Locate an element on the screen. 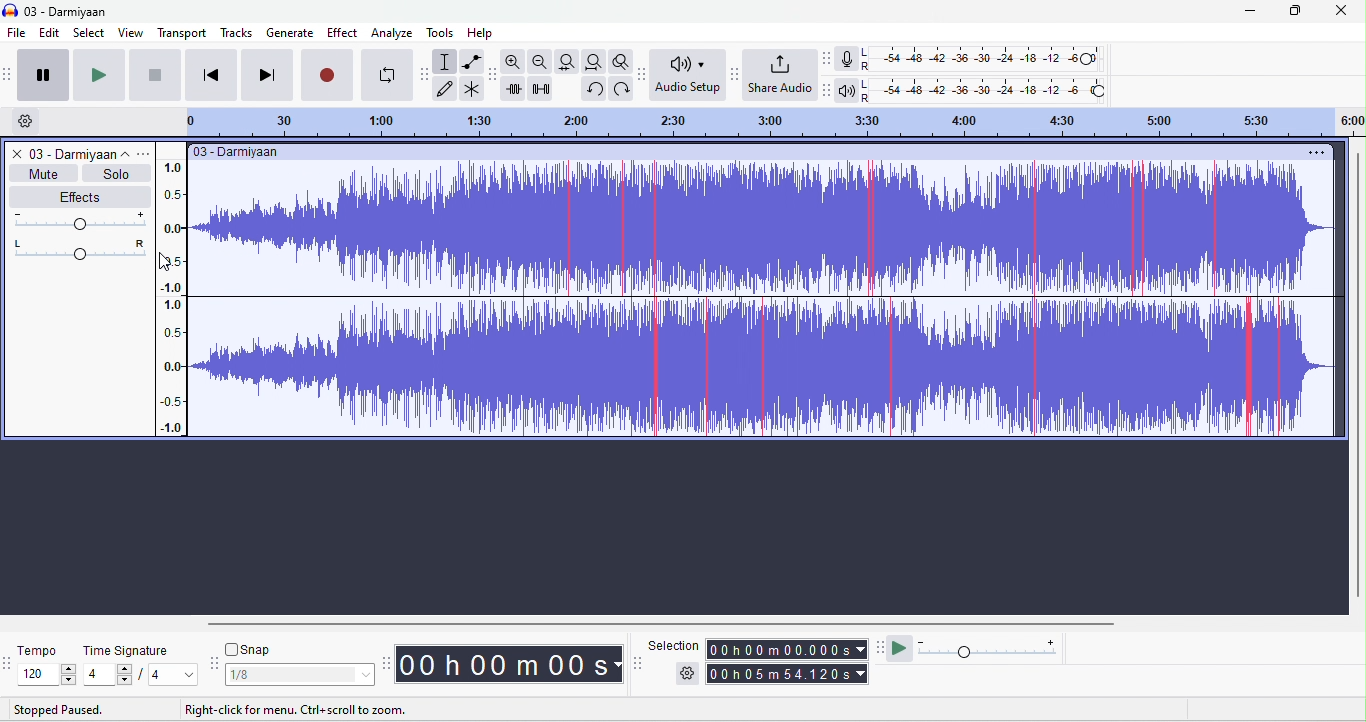 This screenshot has height=722, width=1366. select time signature is located at coordinates (141, 676).